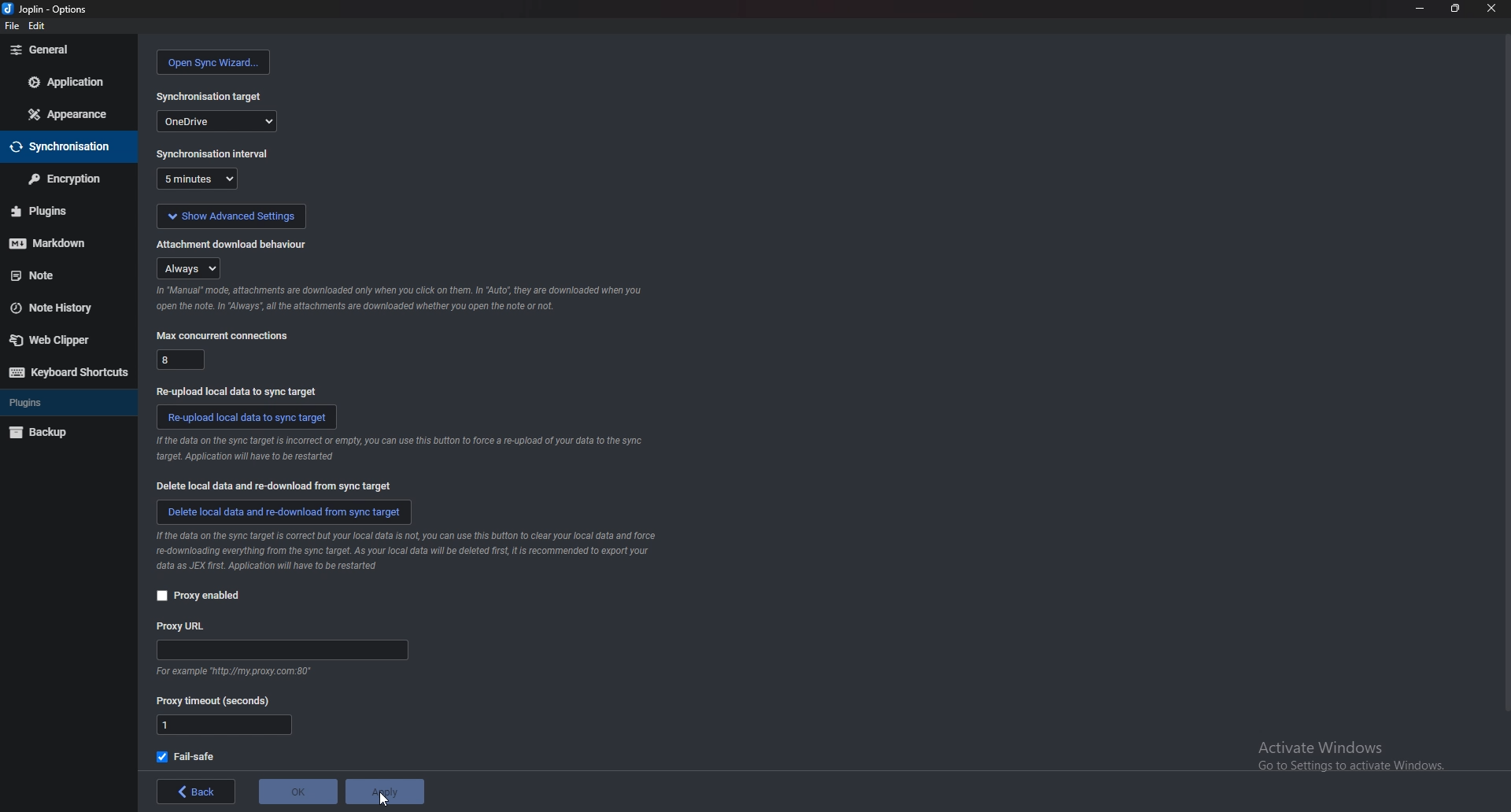 The image size is (1511, 812). Describe the element at coordinates (392, 792) in the screenshot. I see `apply` at that location.